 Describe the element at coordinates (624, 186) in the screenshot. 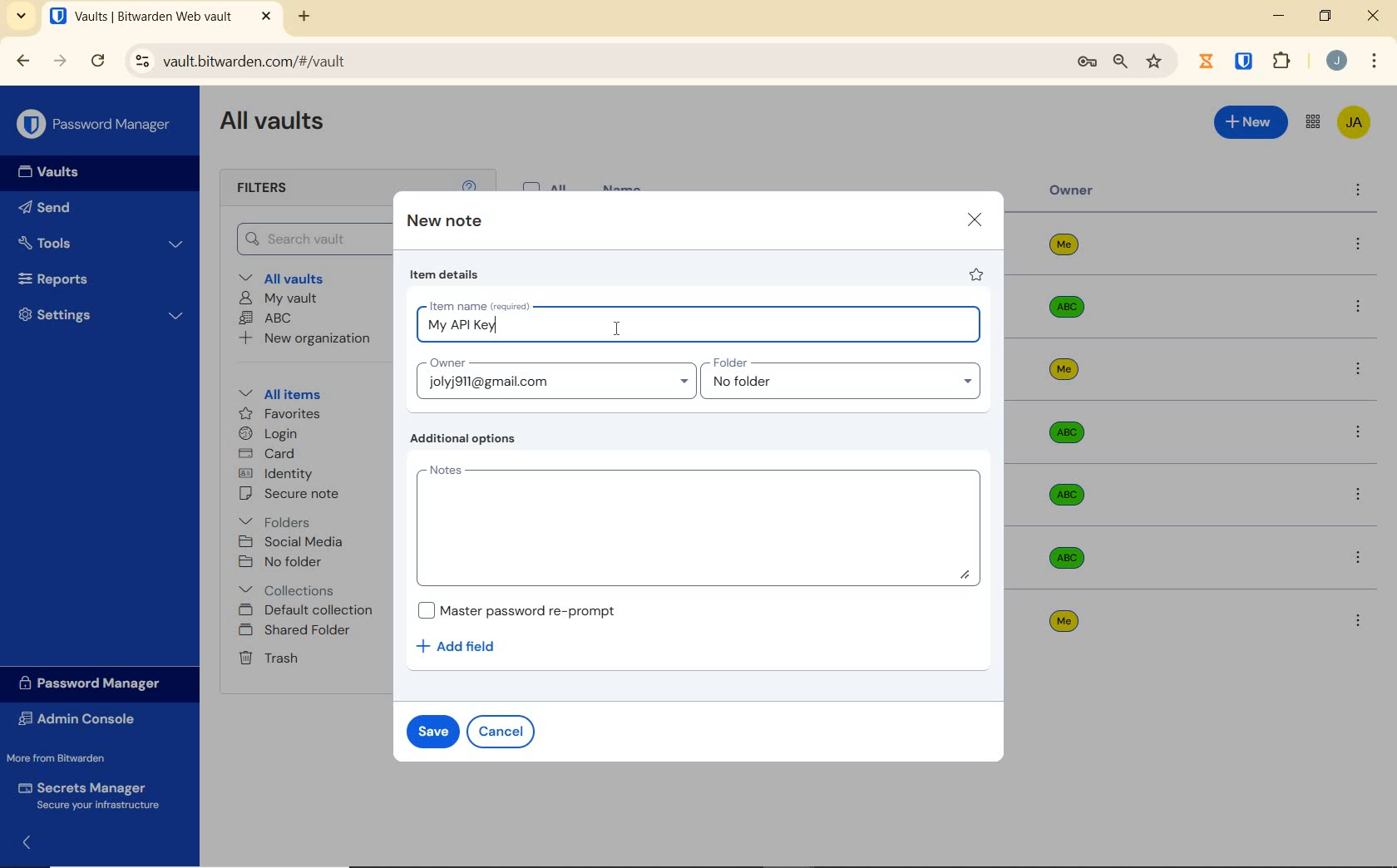

I see `name` at that location.